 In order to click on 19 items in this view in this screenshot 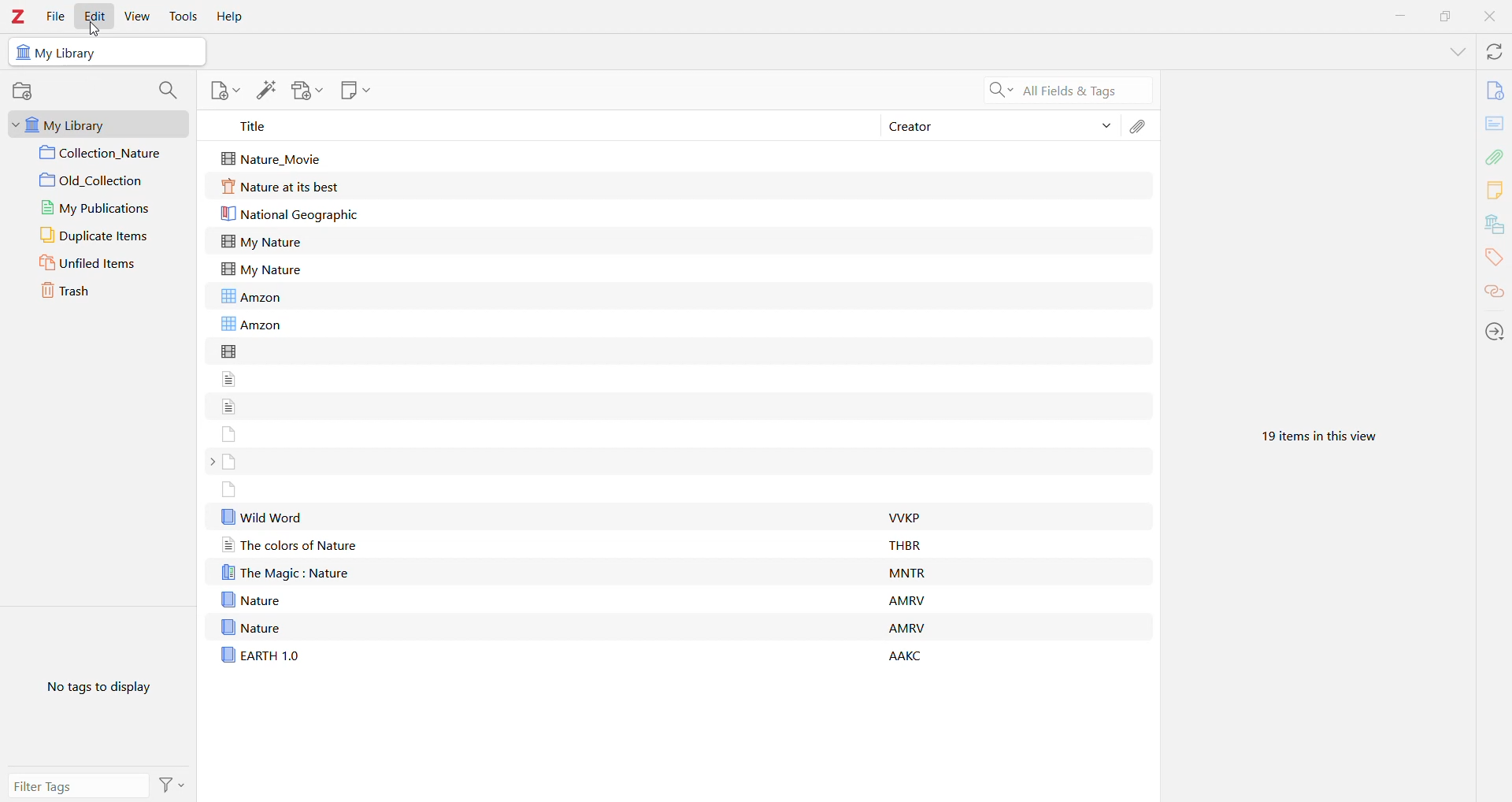, I will do `click(1314, 433)`.